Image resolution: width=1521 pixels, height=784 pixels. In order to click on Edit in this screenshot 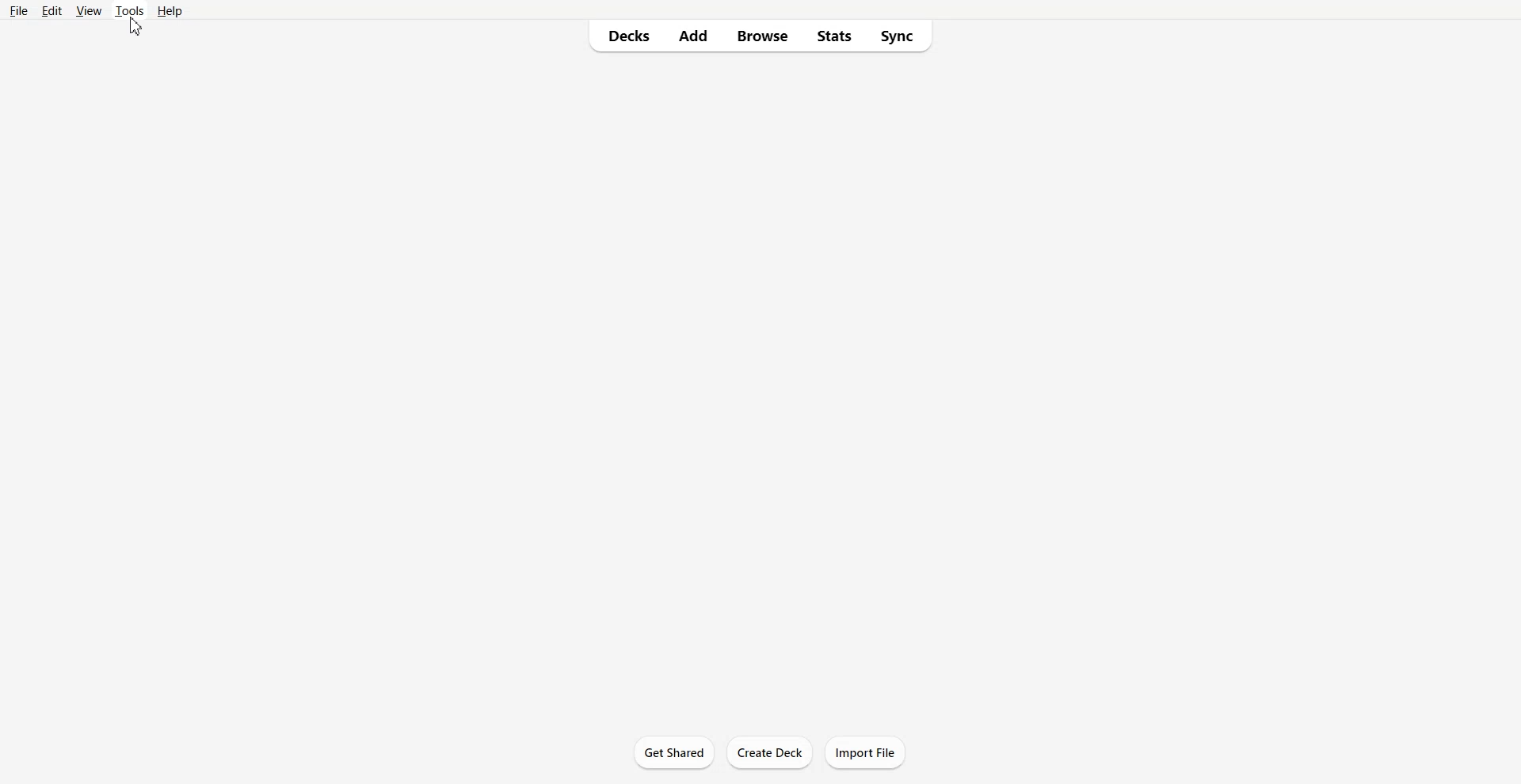, I will do `click(51, 11)`.